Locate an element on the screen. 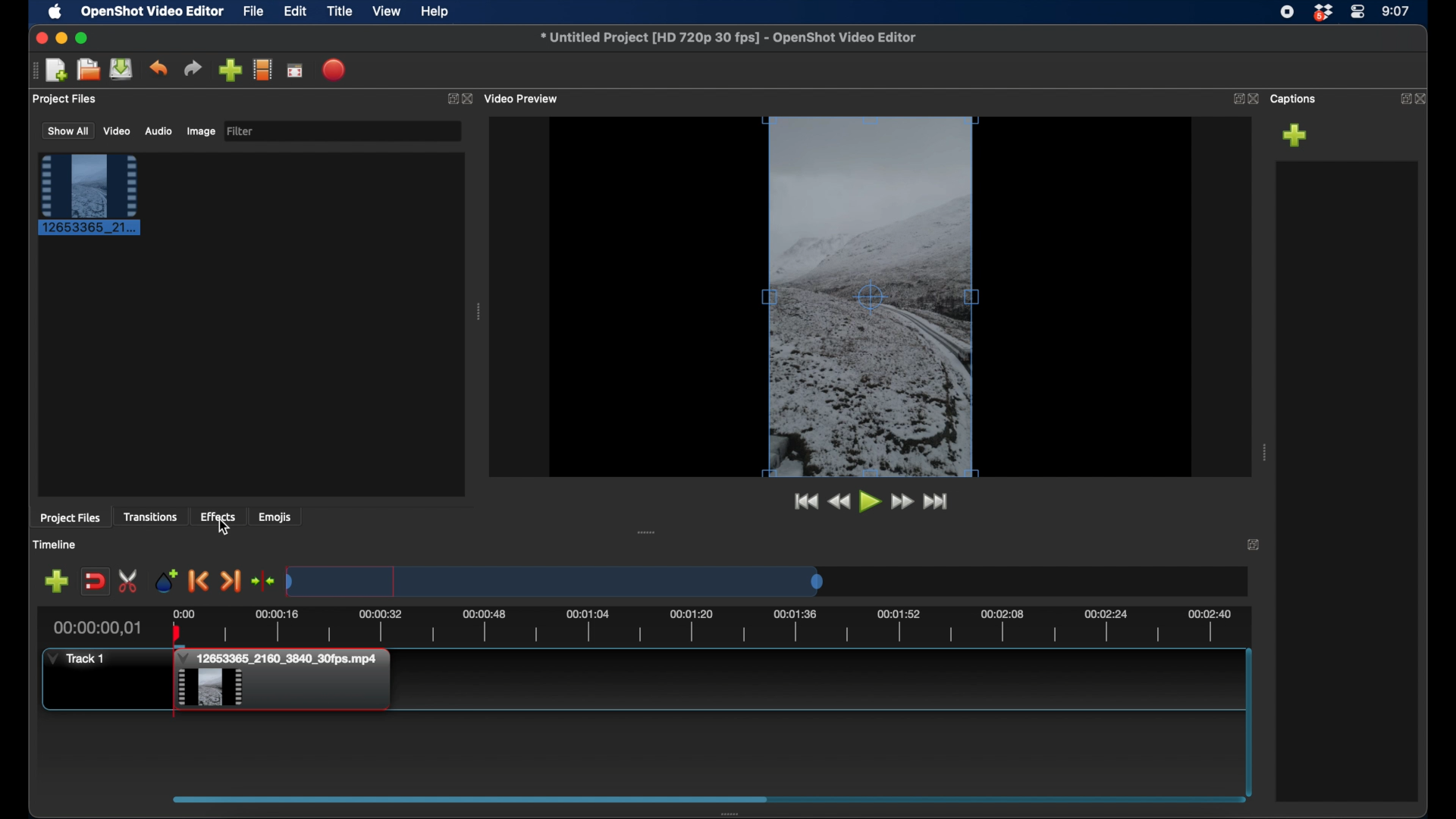 The image size is (1456, 819). clip is located at coordinates (287, 682).